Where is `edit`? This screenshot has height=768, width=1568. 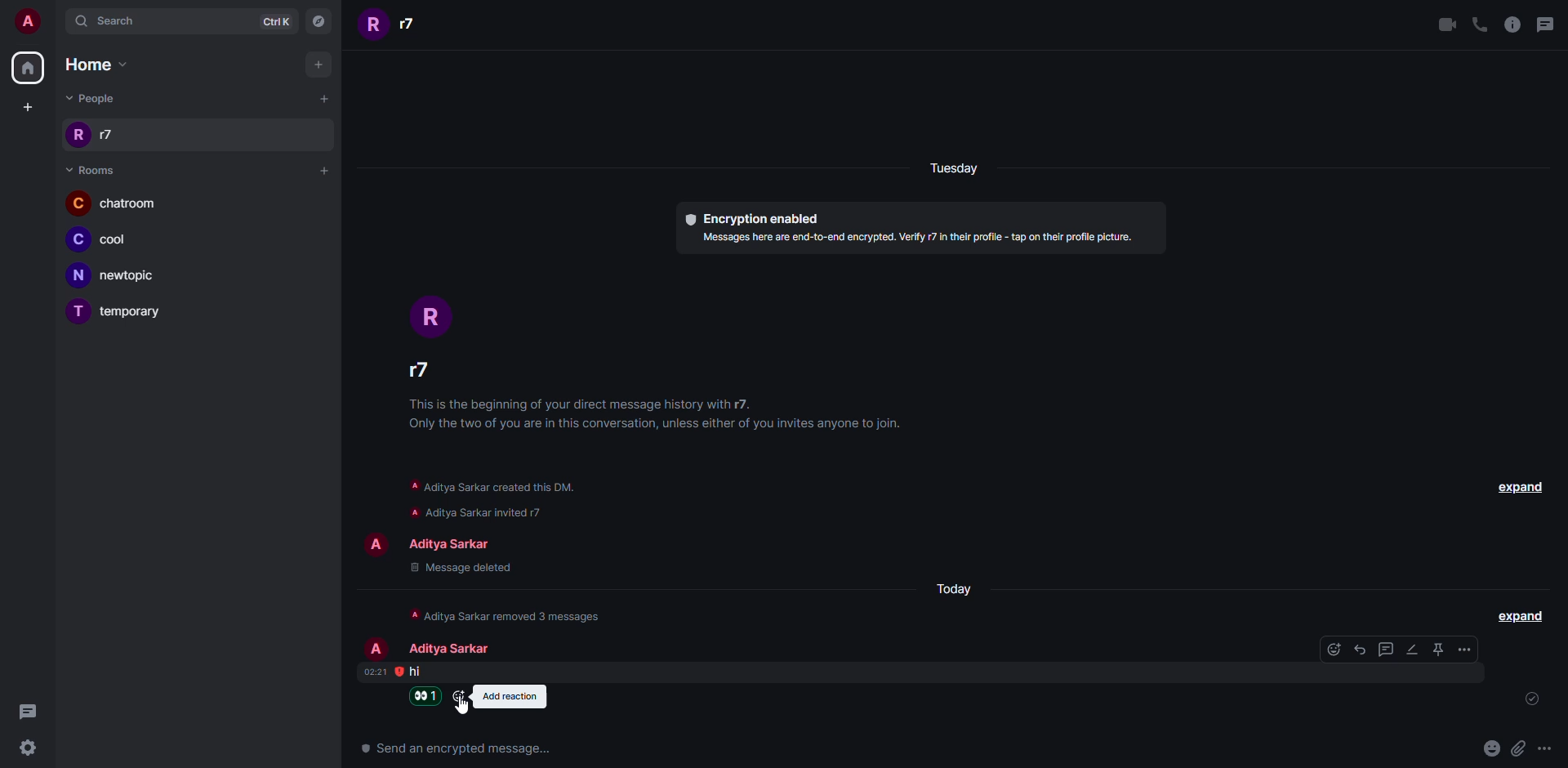
edit is located at coordinates (1414, 649).